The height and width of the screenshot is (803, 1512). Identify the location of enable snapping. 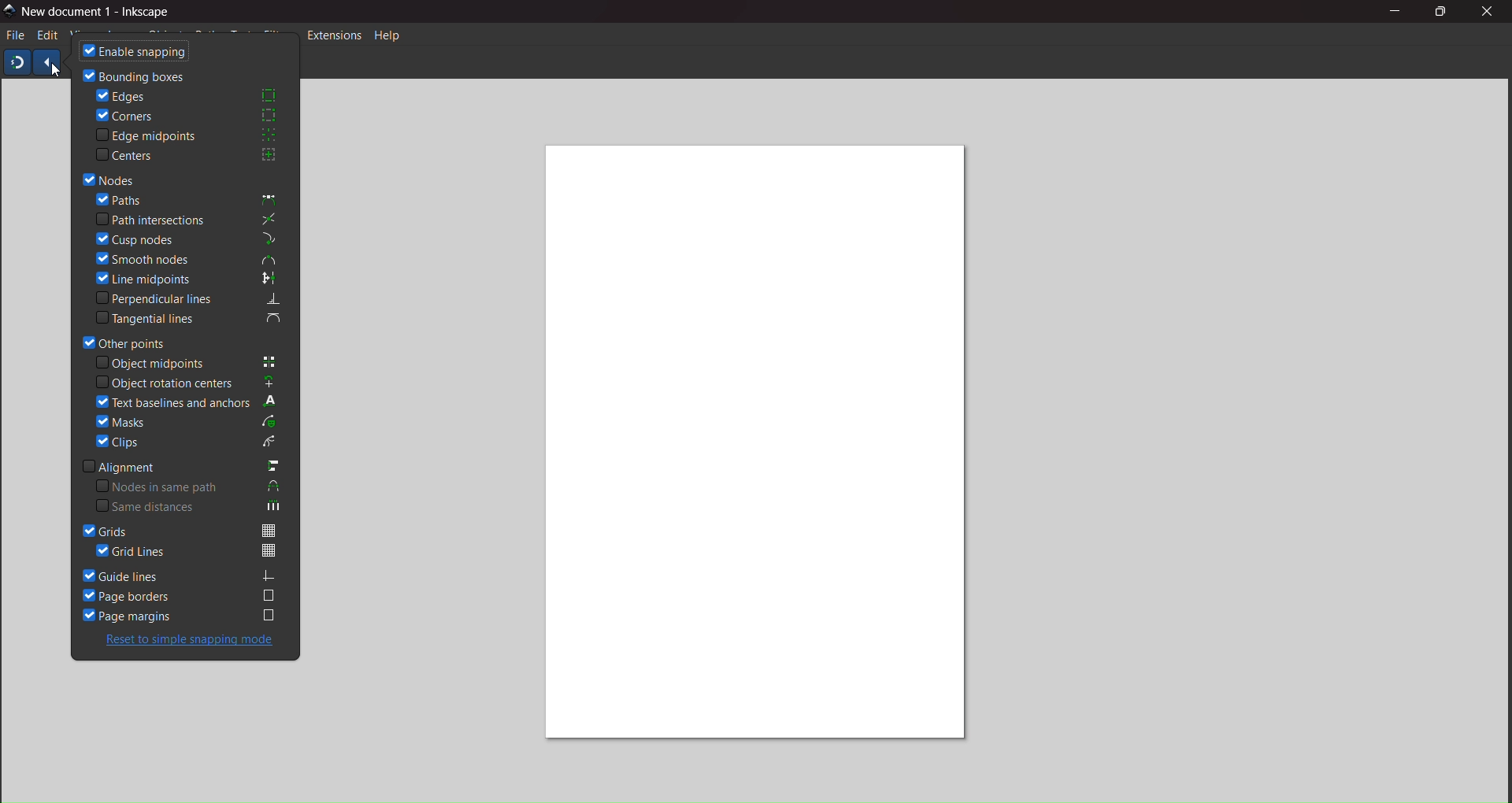
(138, 51).